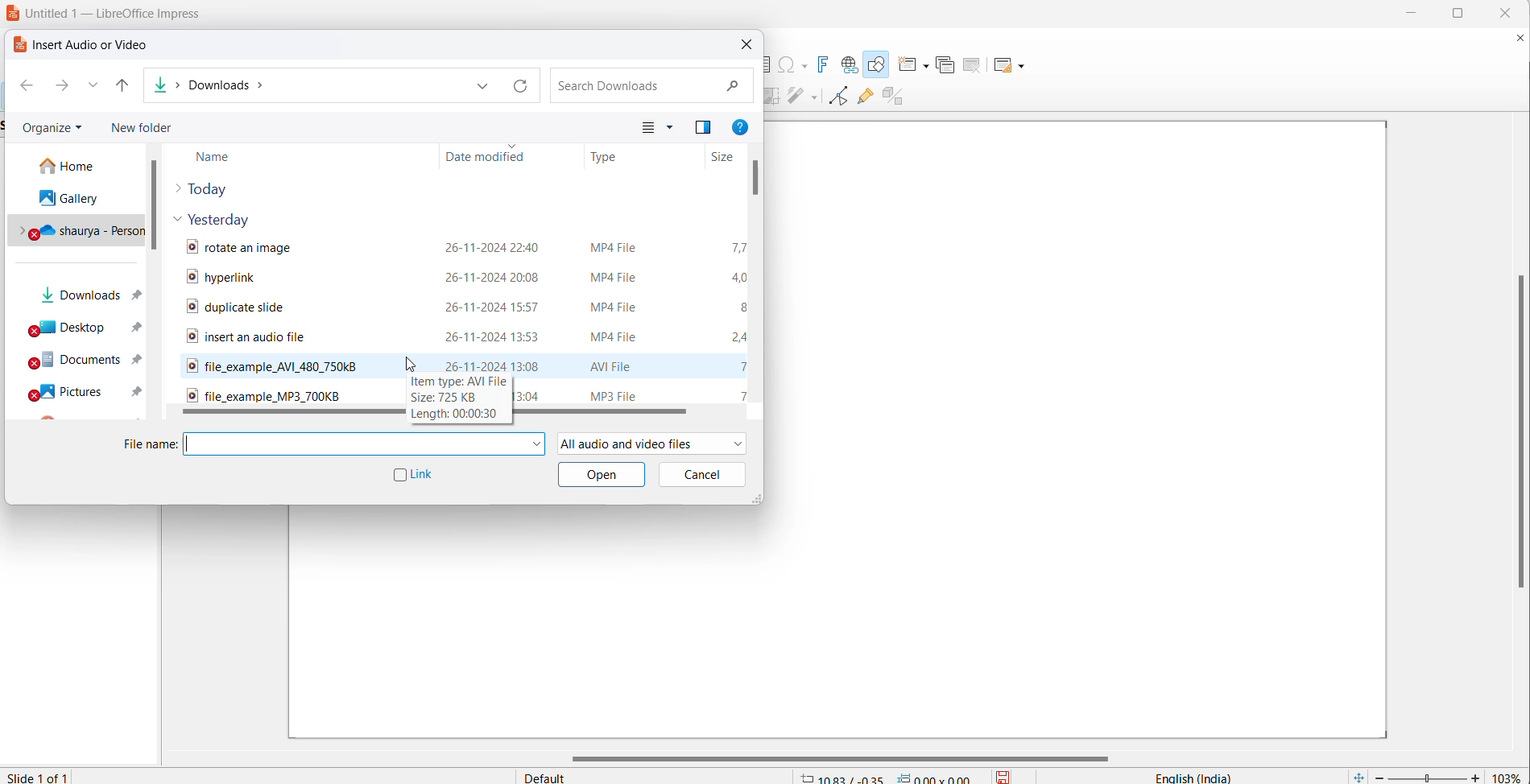 This screenshot has height=784, width=1530. Describe the element at coordinates (536, 447) in the screenshot. I see `file name dropdown button` at that location.